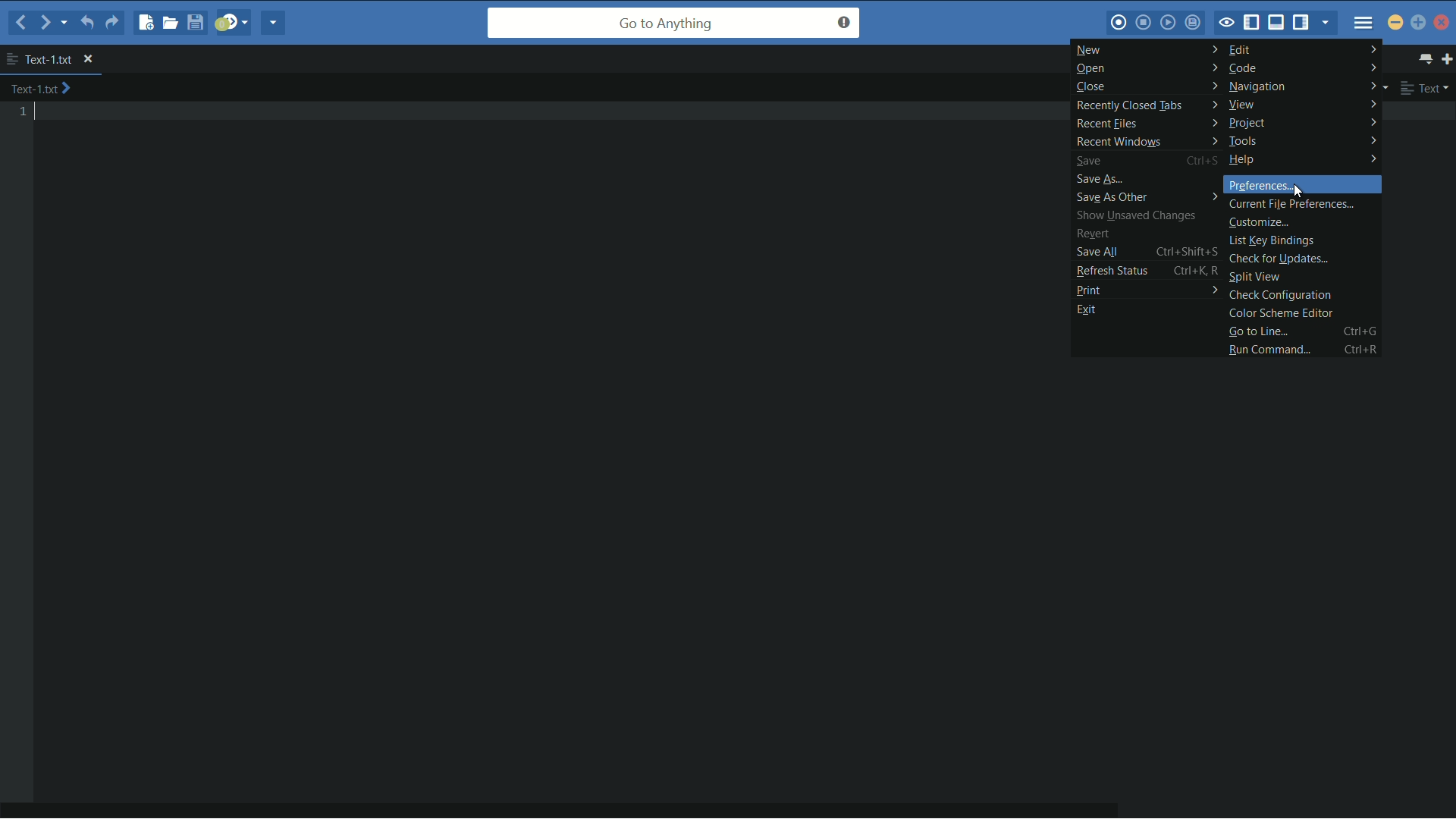 The width and height of the screenshot is (1456, 819). What do you see at coordinates (1298, 159) in the screenshot?
I see `help` at bounding box center [1298, 159].